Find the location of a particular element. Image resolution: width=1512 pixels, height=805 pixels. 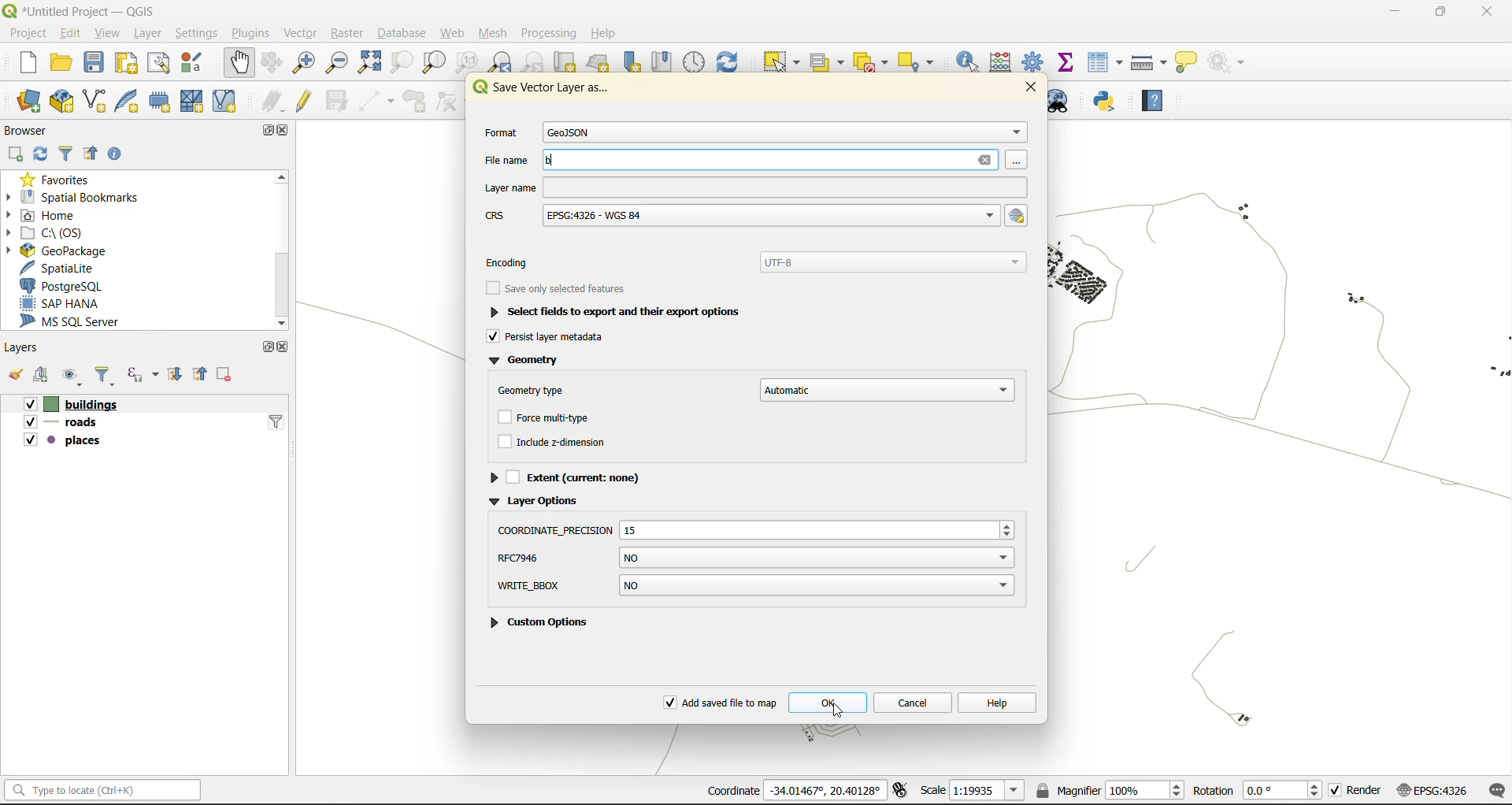

render is located at coordinates (1357, 791).